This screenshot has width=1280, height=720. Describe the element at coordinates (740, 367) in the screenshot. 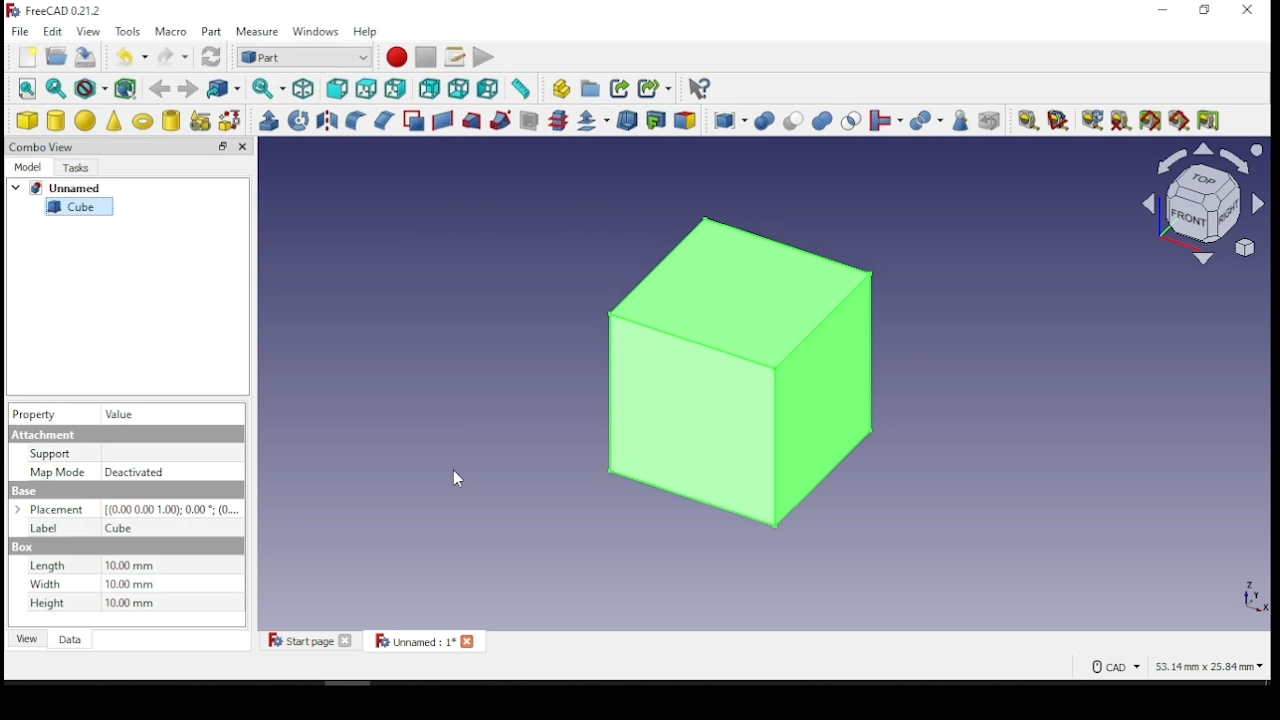

I see `object` at that location.